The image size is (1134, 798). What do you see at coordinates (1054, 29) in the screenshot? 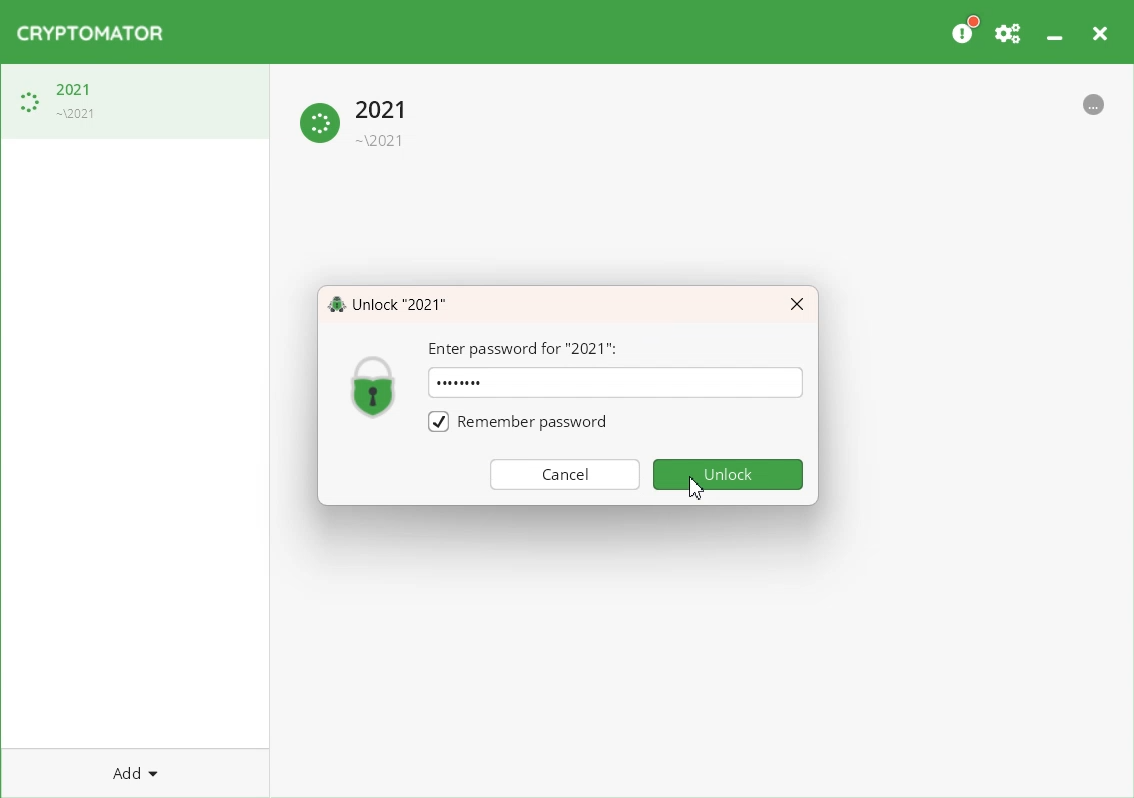
I see `Minimize` at bounding box center [1054, 29].